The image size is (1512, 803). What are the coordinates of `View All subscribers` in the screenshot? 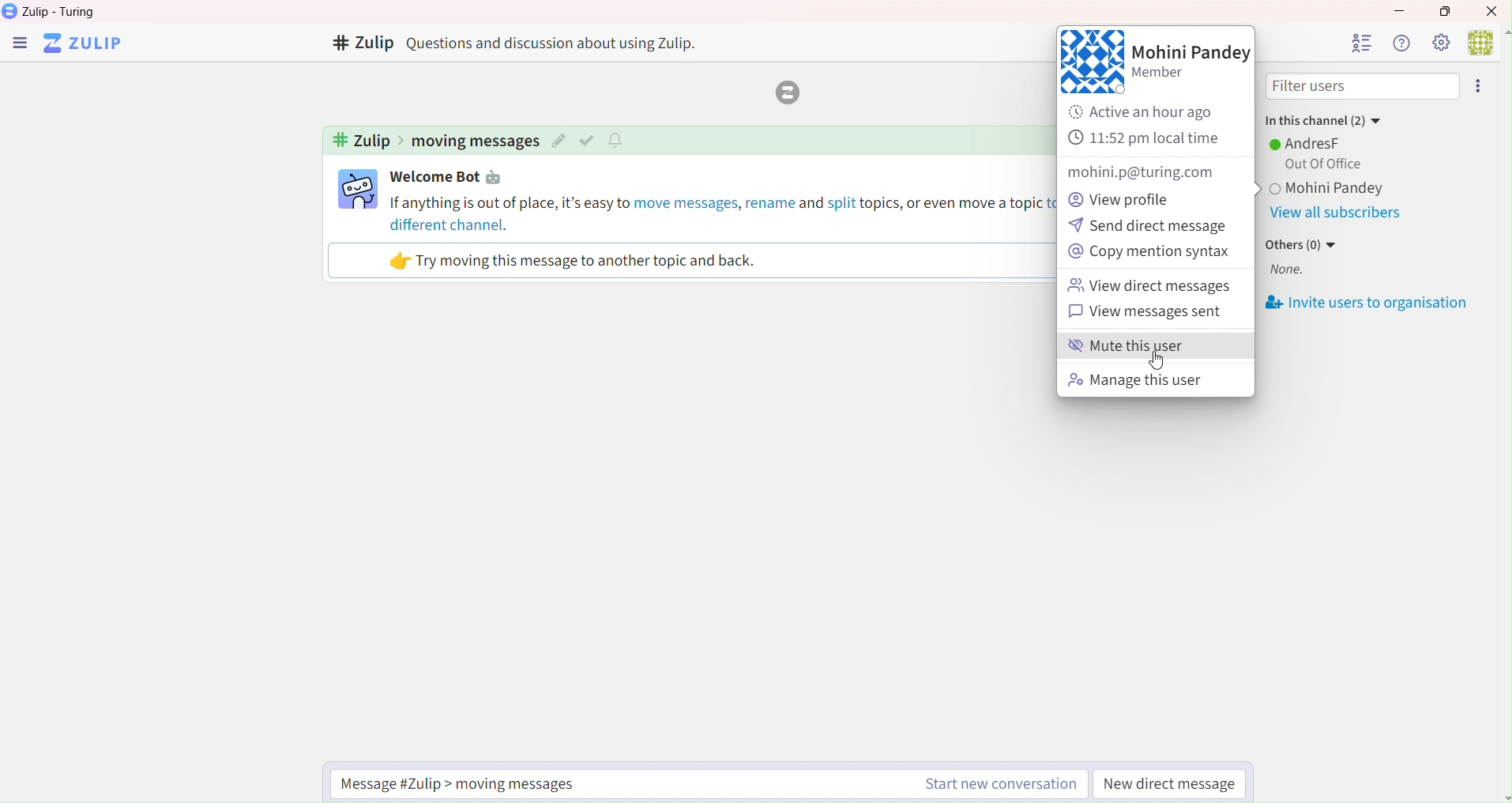 It's located at (1334, 214).